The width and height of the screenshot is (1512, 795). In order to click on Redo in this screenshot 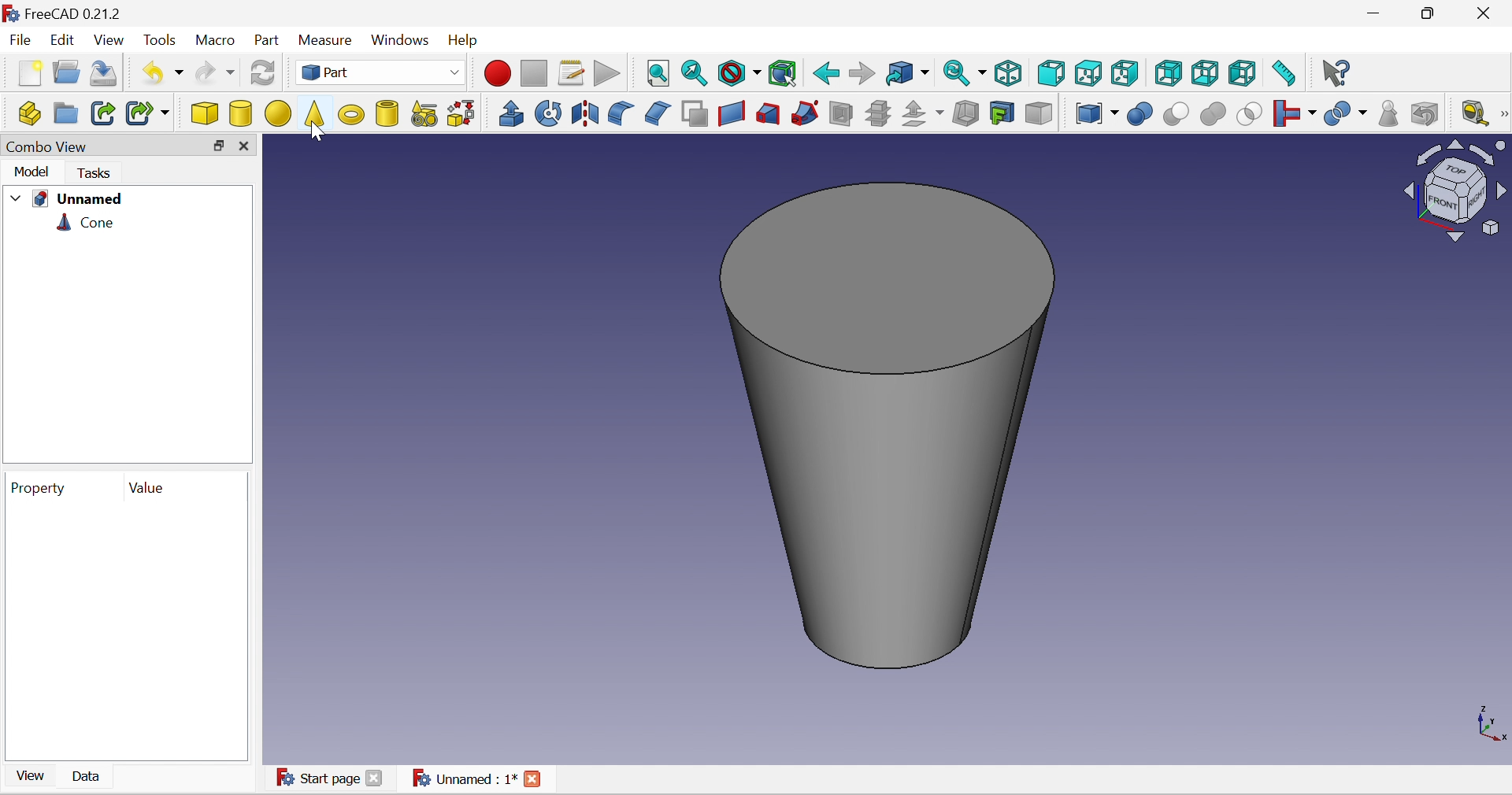, I will do `click(213, 76)`.